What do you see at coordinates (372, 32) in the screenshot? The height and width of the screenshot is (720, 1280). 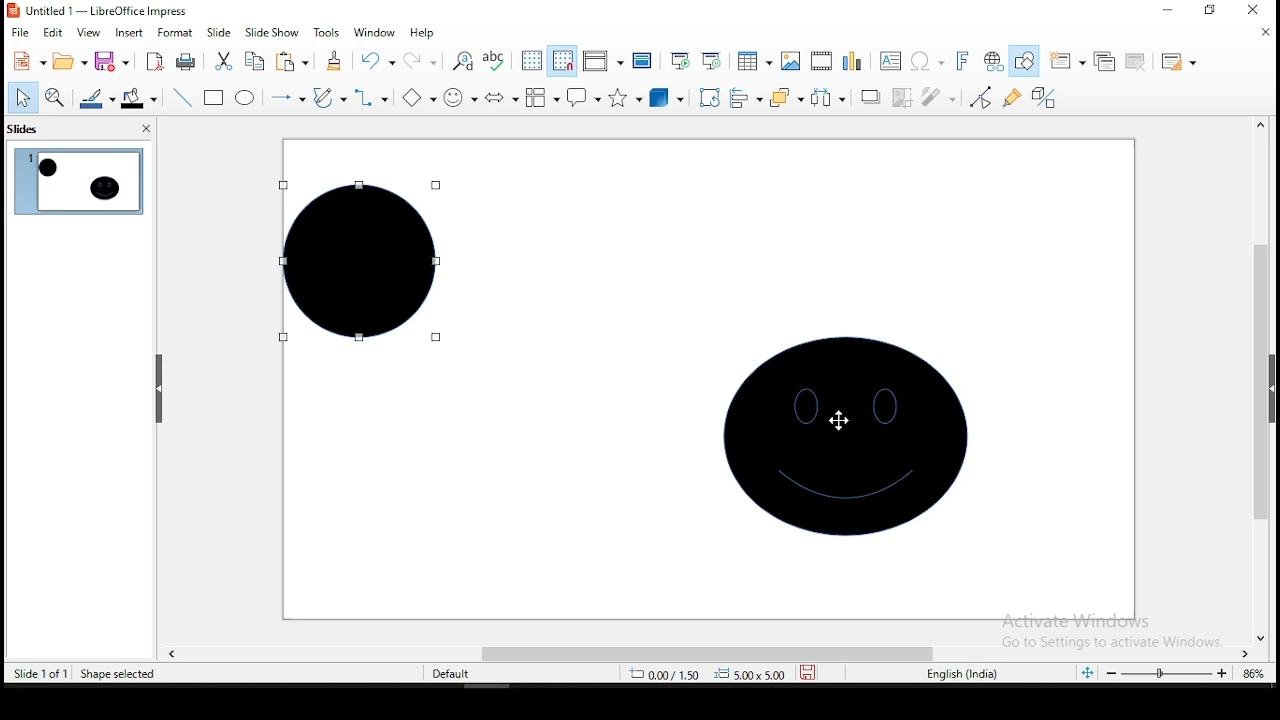 I see `window` at bounding box center [372, 32].